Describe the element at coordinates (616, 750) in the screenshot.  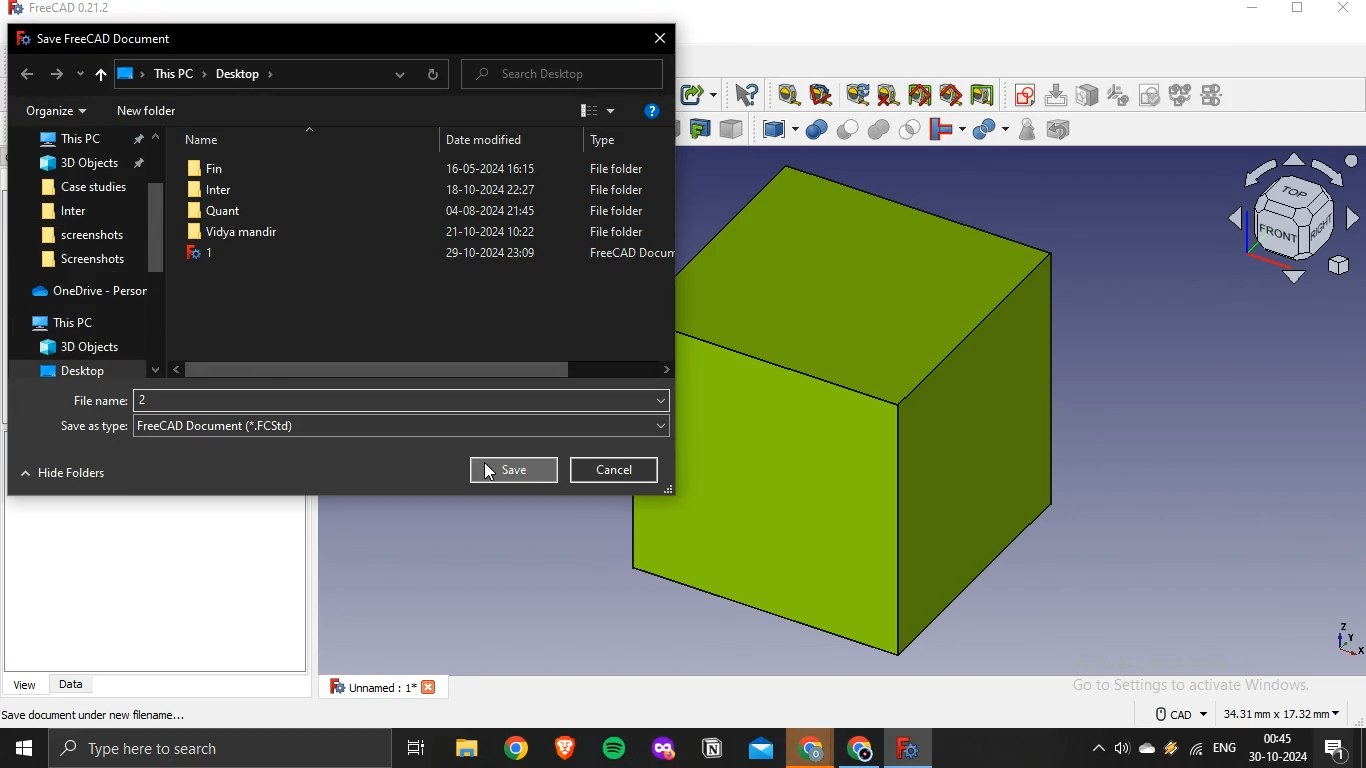
I see `spotify` at that location.